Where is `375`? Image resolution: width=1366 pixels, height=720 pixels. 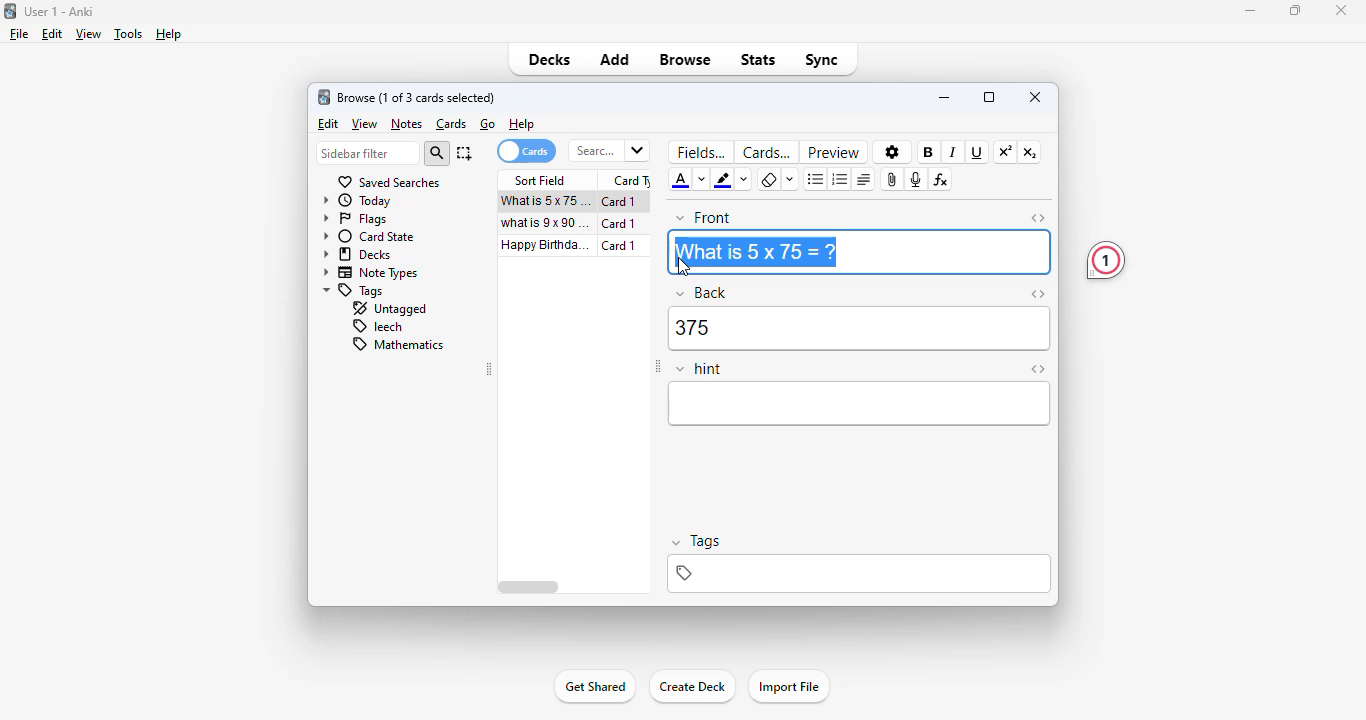 375 is located at coordinates (859, 329).